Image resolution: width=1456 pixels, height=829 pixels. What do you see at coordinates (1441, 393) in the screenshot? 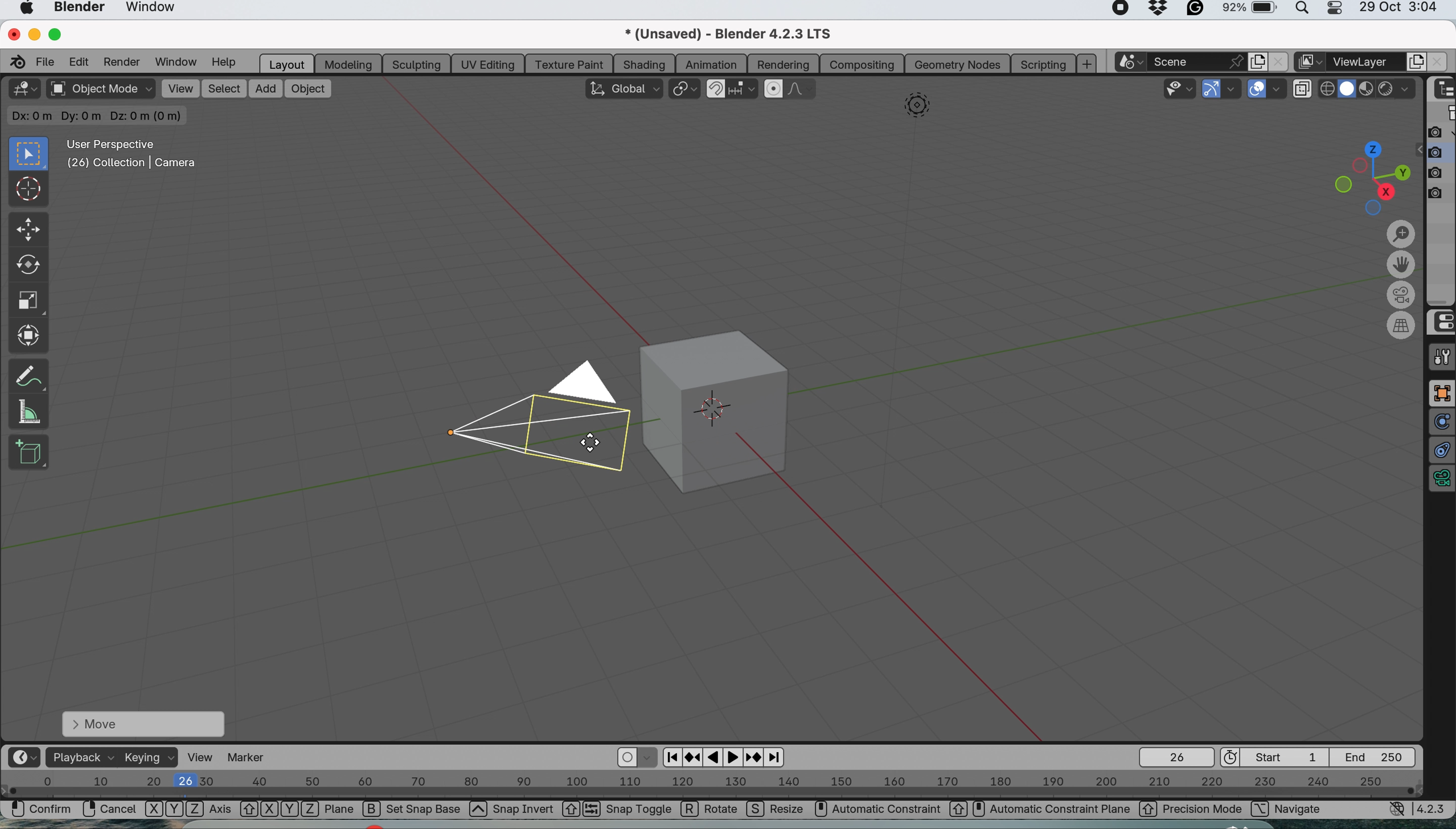
I see `full screen` at bounding box center [1441, 393].